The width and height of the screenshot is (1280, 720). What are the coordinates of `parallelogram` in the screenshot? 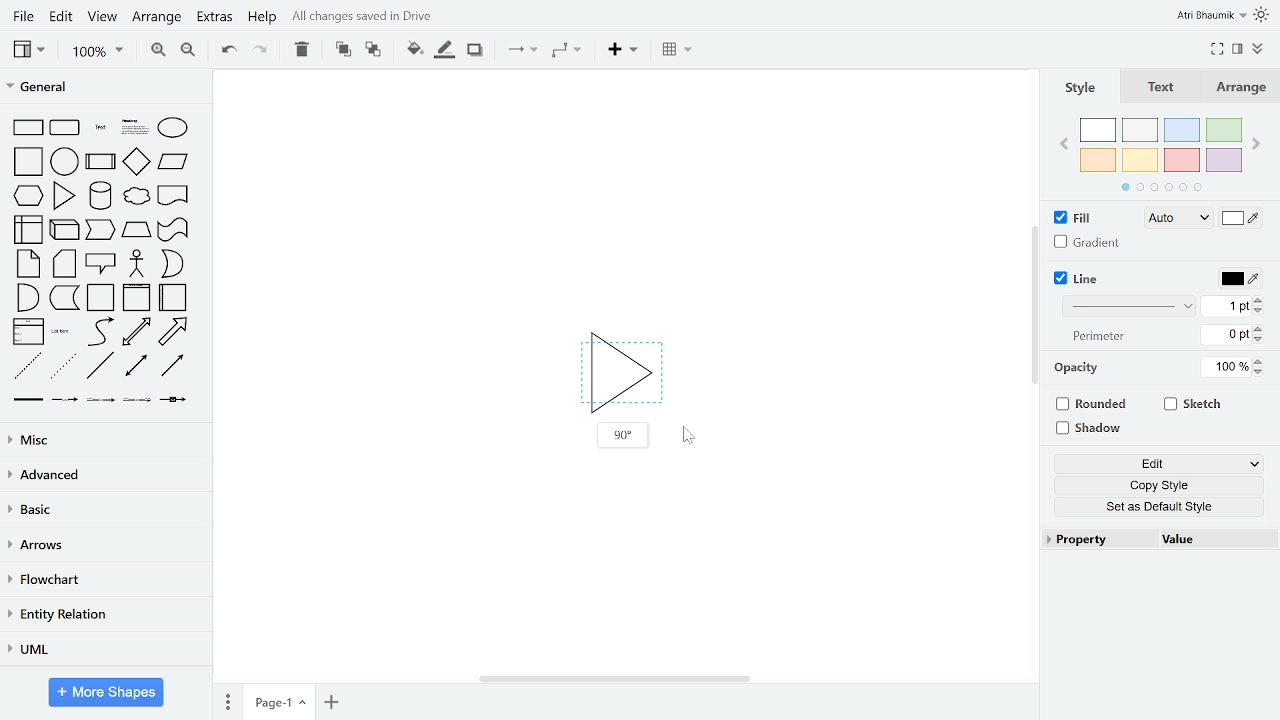 It's located at (173, 162).